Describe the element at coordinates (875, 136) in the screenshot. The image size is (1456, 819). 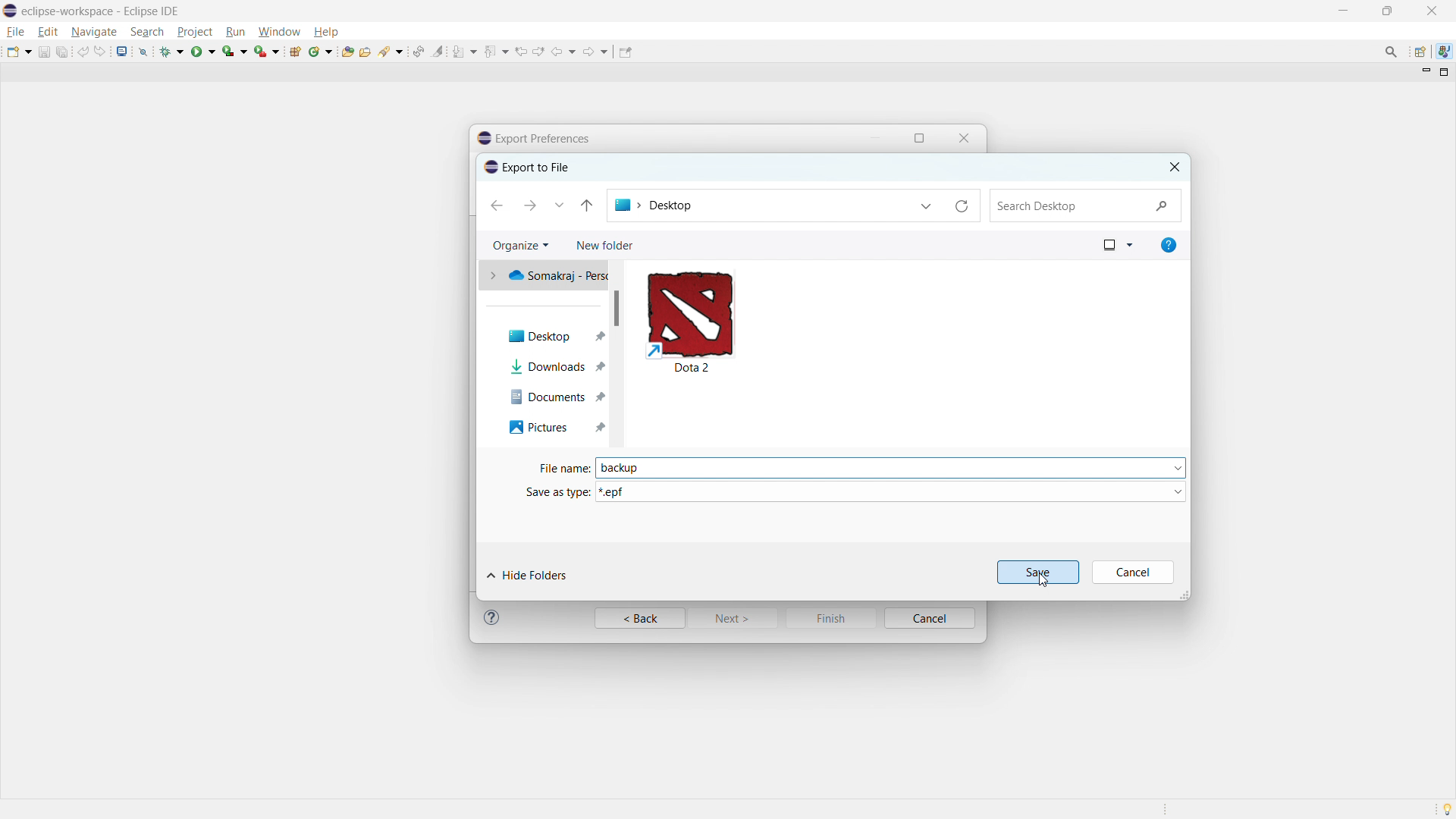
I see `minimize` at that location.